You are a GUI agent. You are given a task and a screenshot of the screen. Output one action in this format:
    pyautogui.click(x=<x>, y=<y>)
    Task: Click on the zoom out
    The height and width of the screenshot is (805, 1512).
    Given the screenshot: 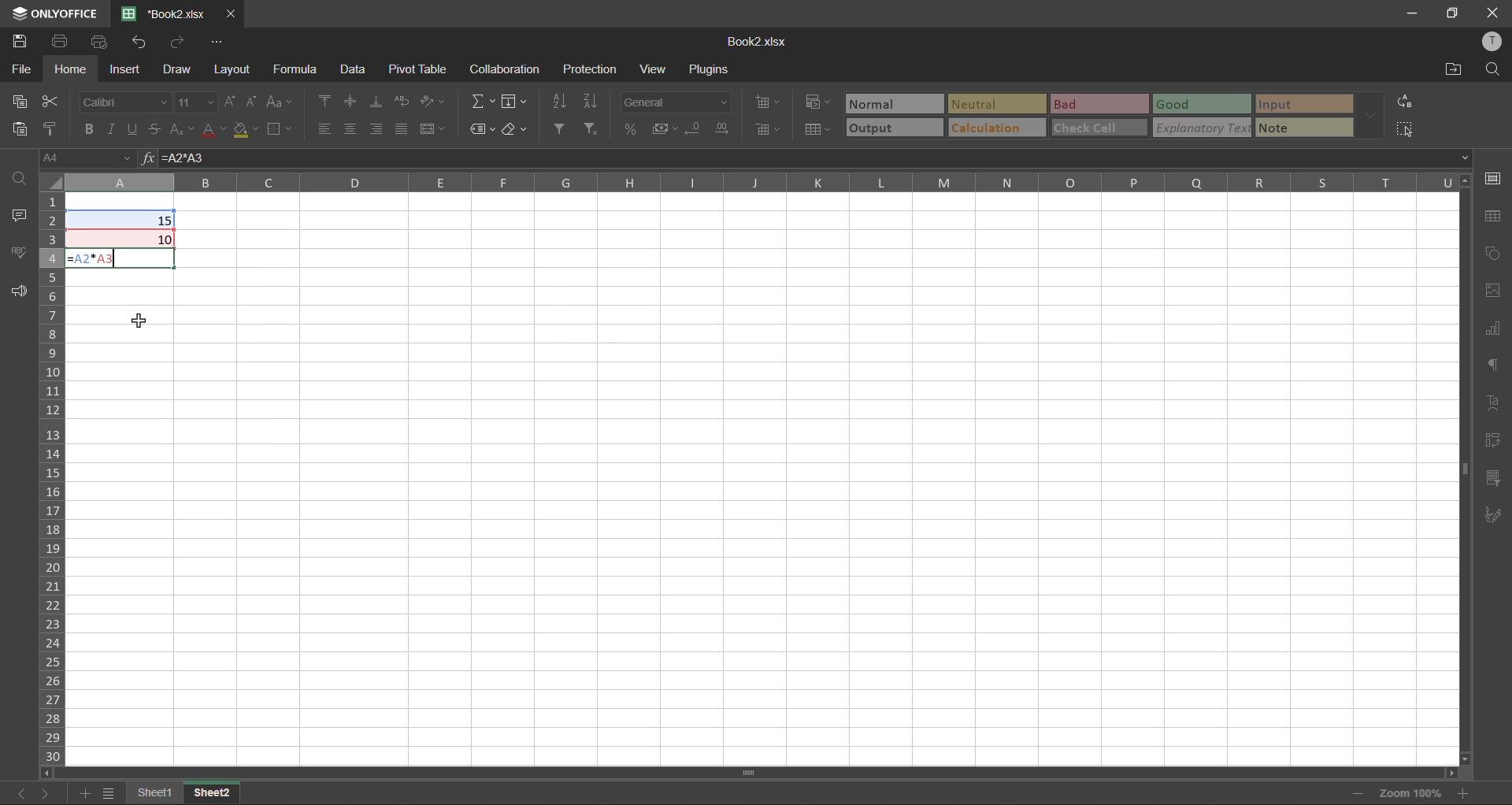 What is the action you would take?
    pyautogui.click(x=1358, y=792)
    